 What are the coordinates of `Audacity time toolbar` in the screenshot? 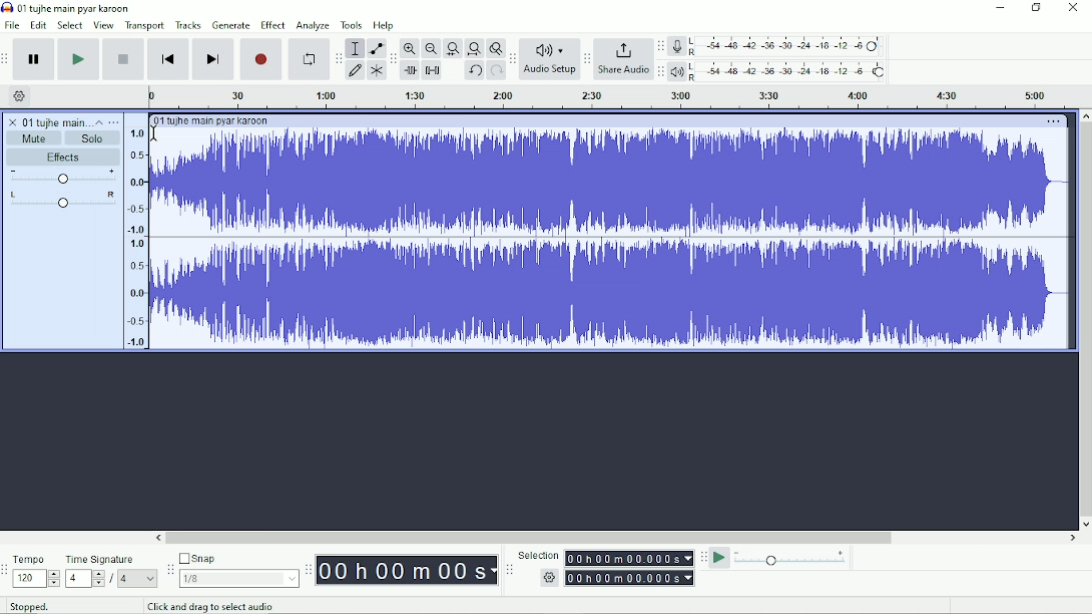 It's located at (308, 569).